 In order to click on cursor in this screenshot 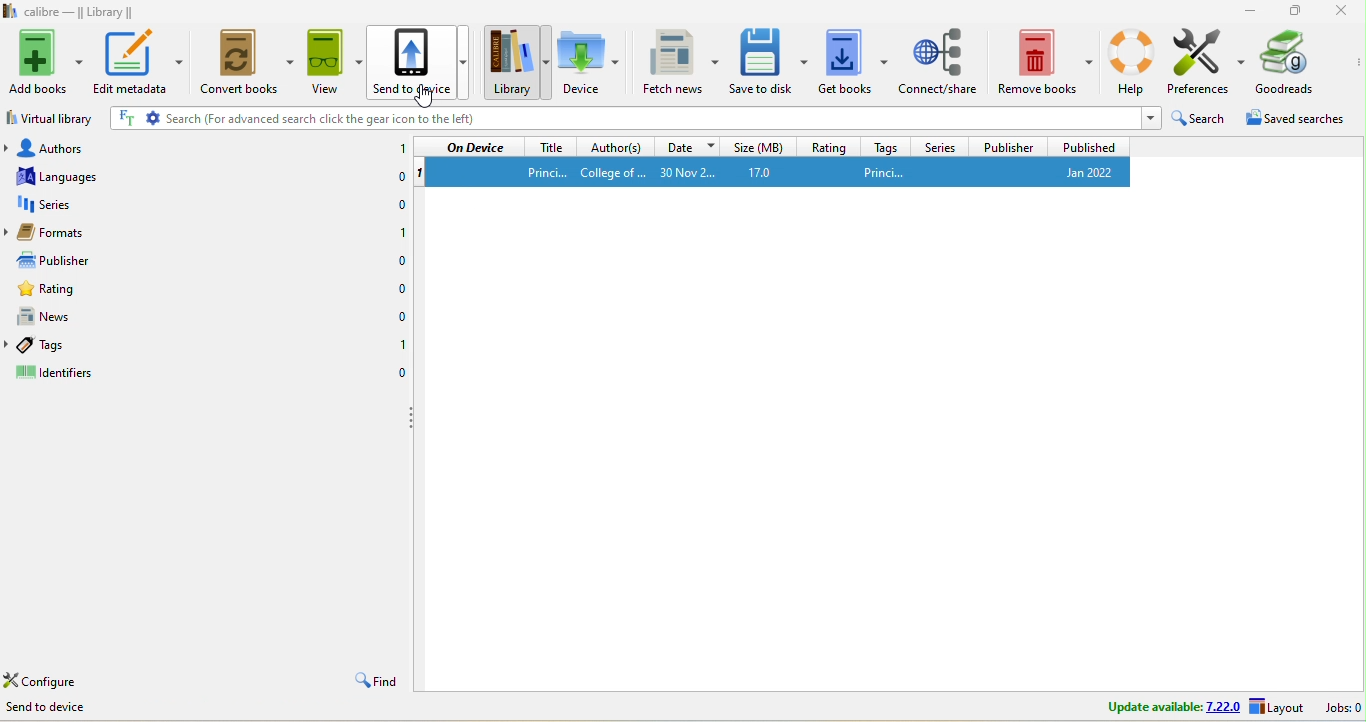, I will do `click(426, 97)`.